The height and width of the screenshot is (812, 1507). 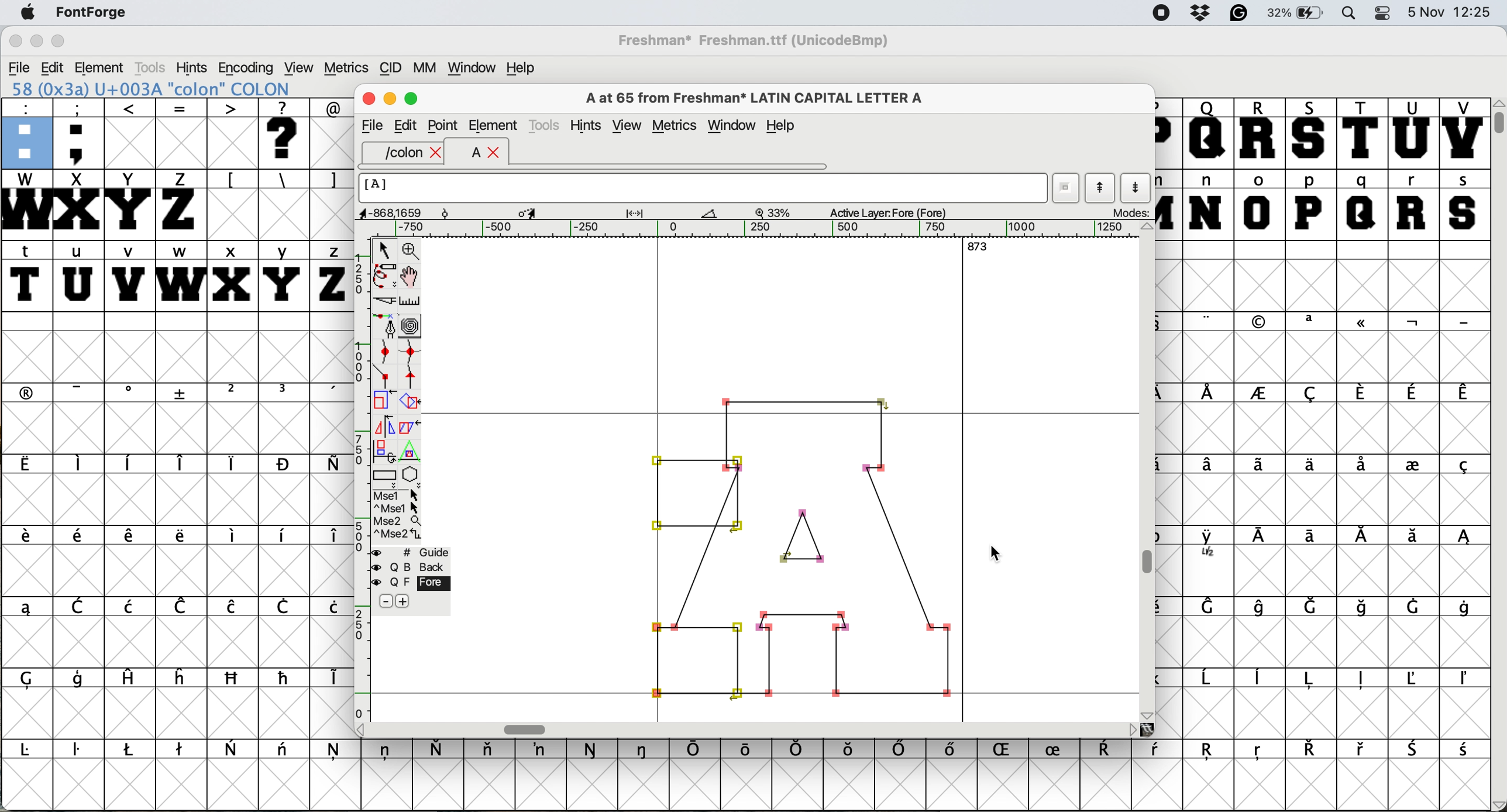 I want to click on ?, so click(x=287, y=133).